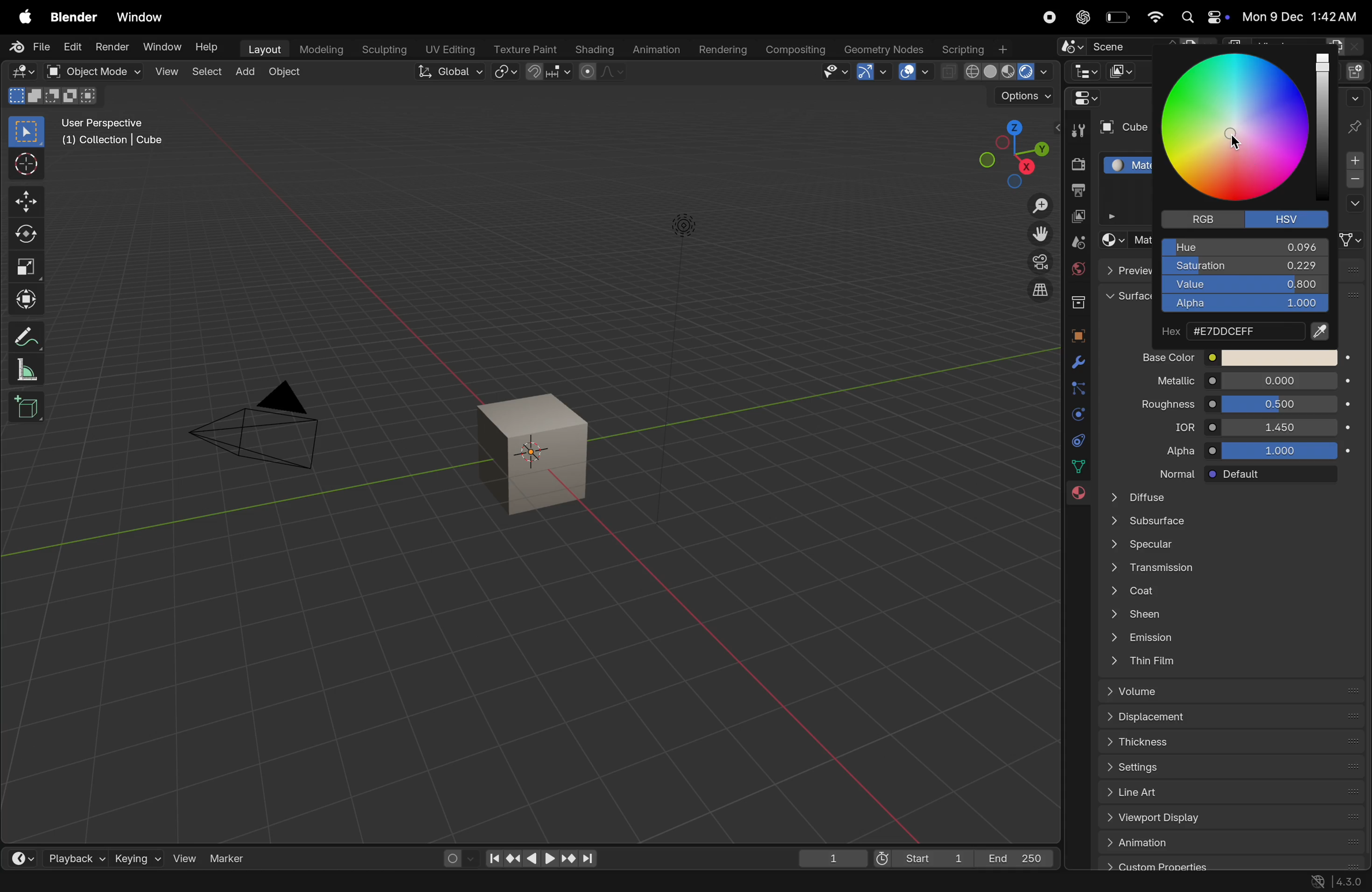 This screenshot has width=1372, height=892. What do you see at coordinates (1168, 451) in the screenshot?
I see `alpha` at bounding box center [1168, 451].